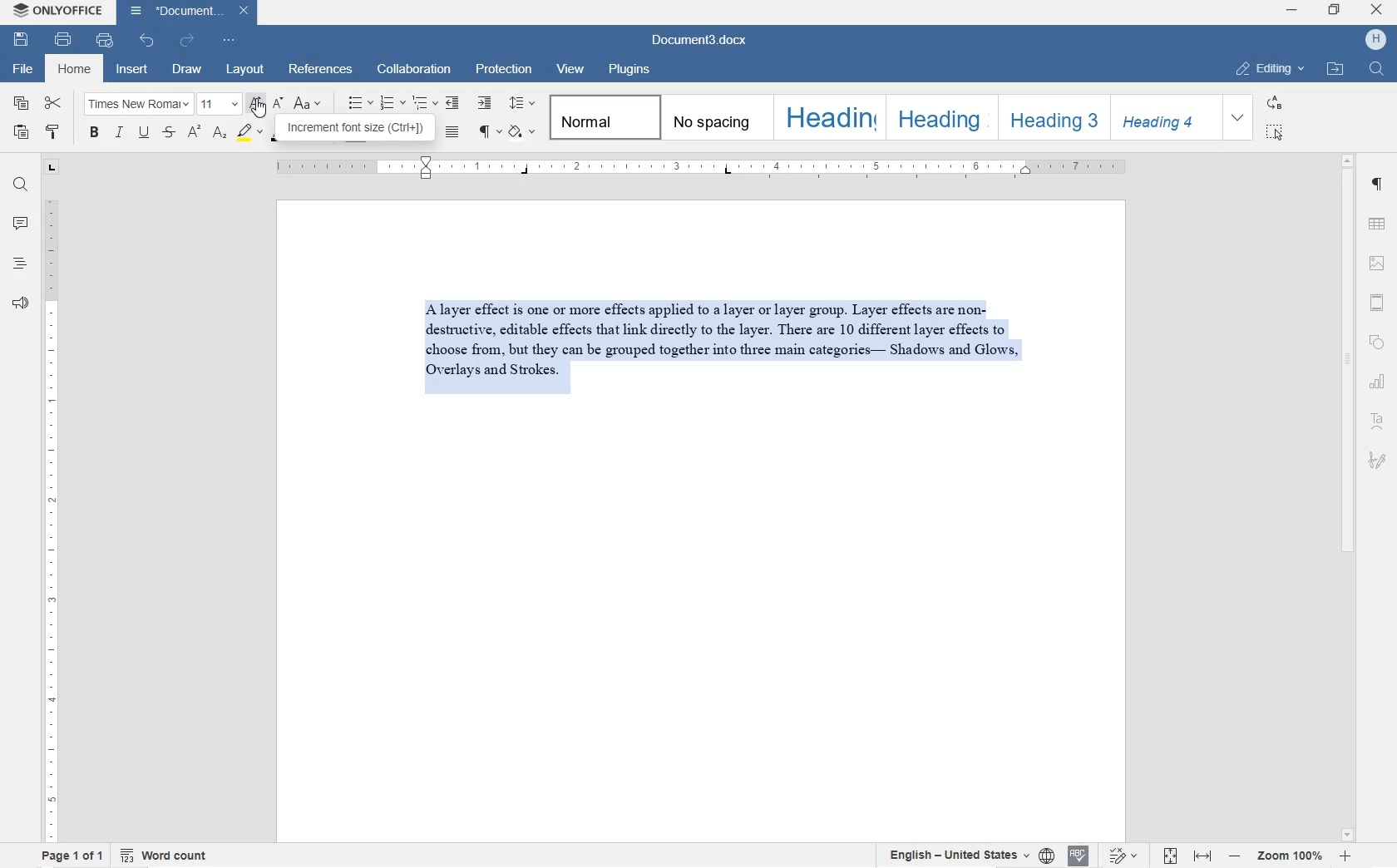 The height and width of the screenshot is (868, 1397). Describe the element at coordinates (1125, 856) in the screenshot. I see `track changes` at that location.